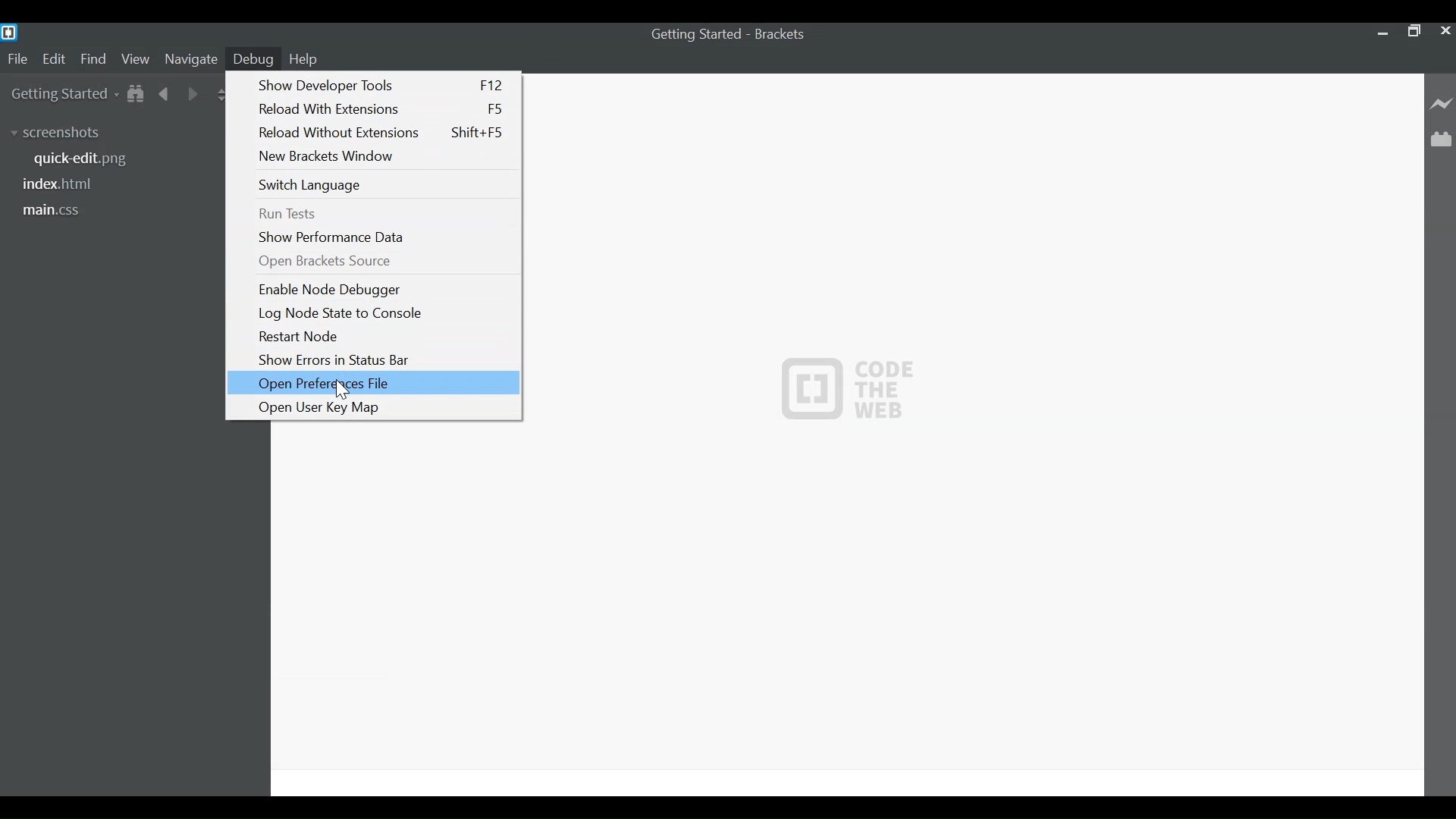 Image resolution: width=1456 pixels, height=819 pixels. Describe the element at coordinates (1381, 33) in the screenshot. I see `minimize` at that location.